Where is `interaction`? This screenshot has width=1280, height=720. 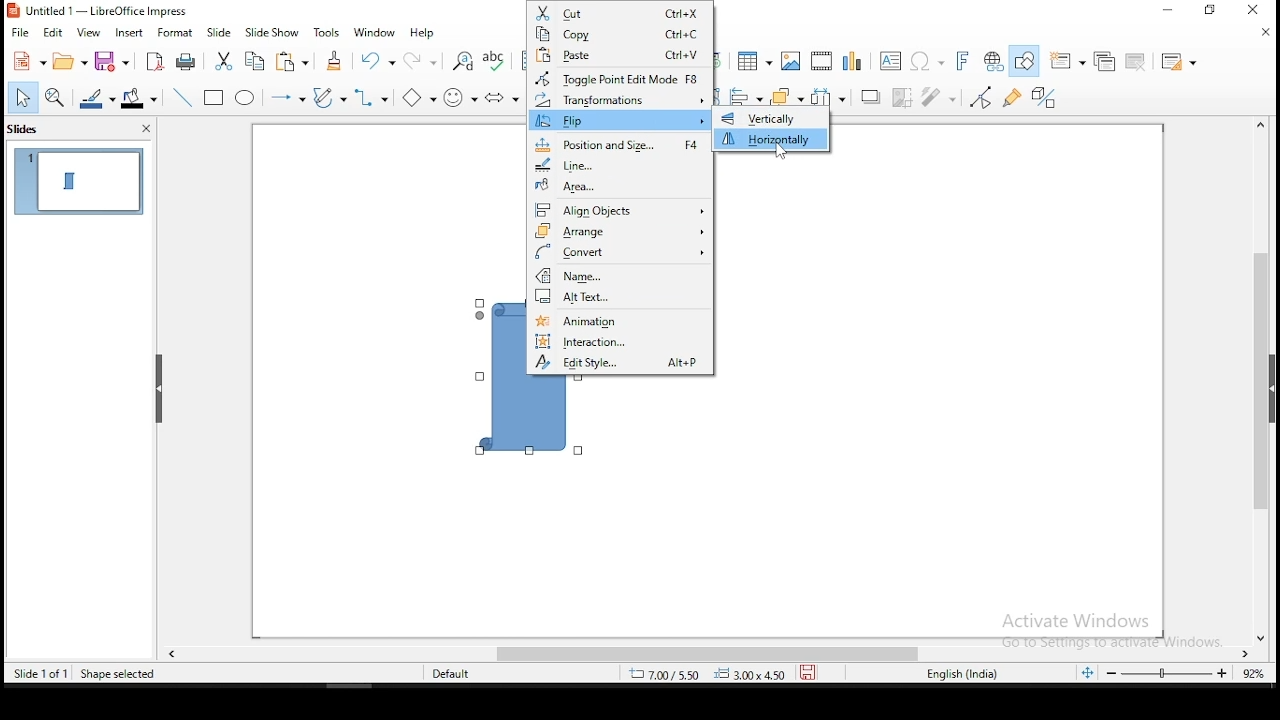
interaction is located at coordinates (621, 341).